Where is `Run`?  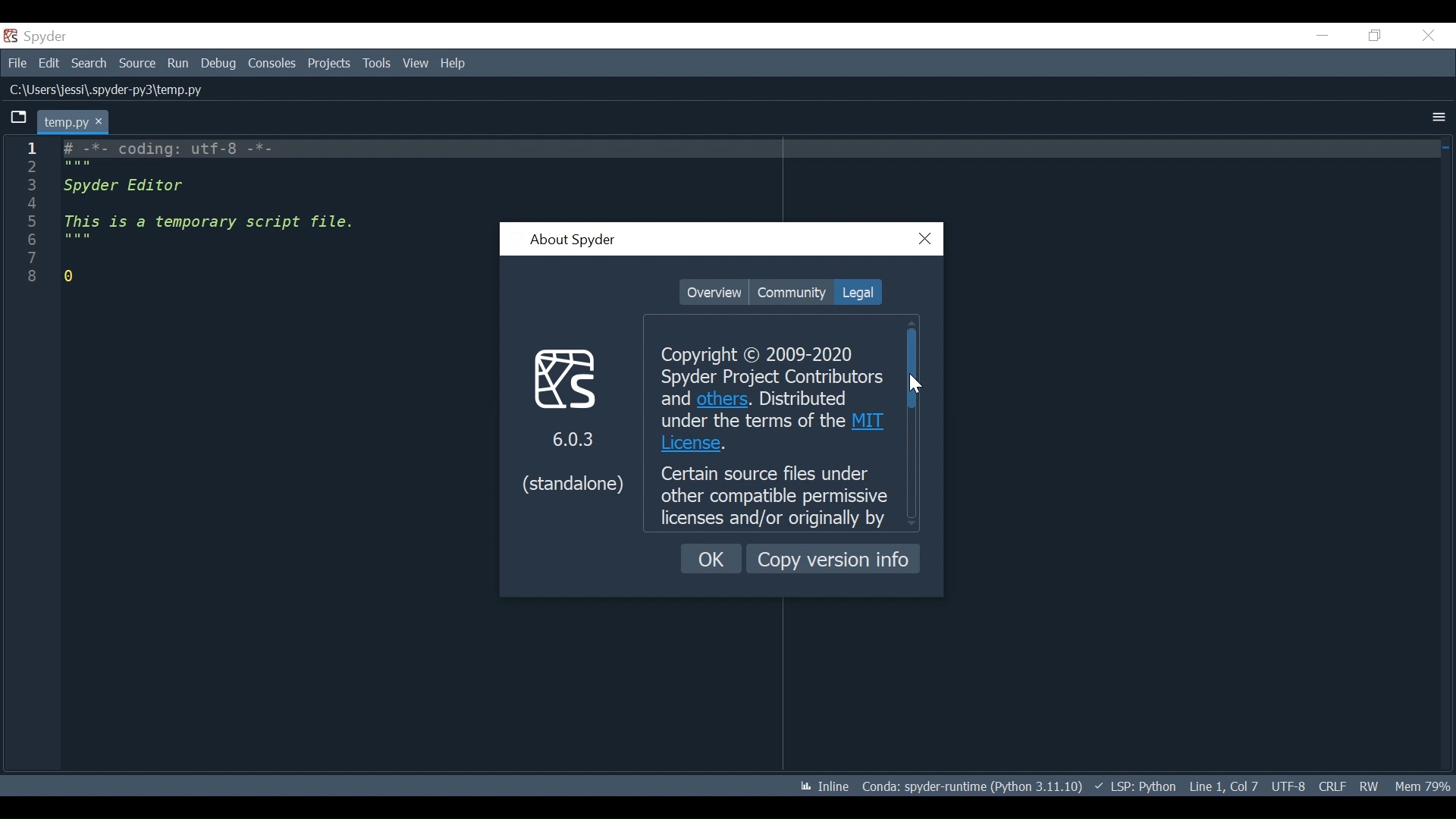
Run is located at coordinates (179, 64).